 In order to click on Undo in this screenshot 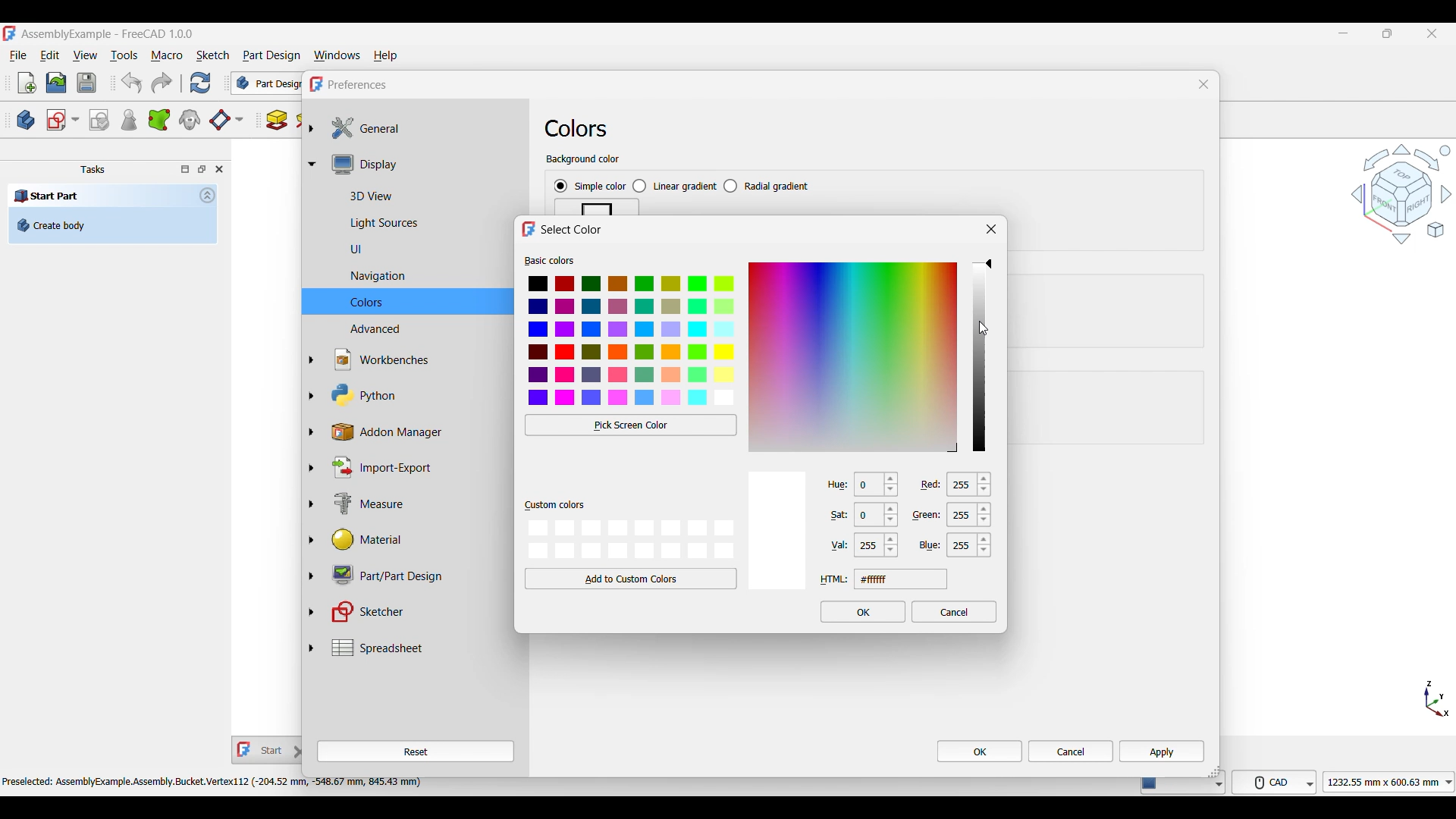, I will do `click(131, 83)`.